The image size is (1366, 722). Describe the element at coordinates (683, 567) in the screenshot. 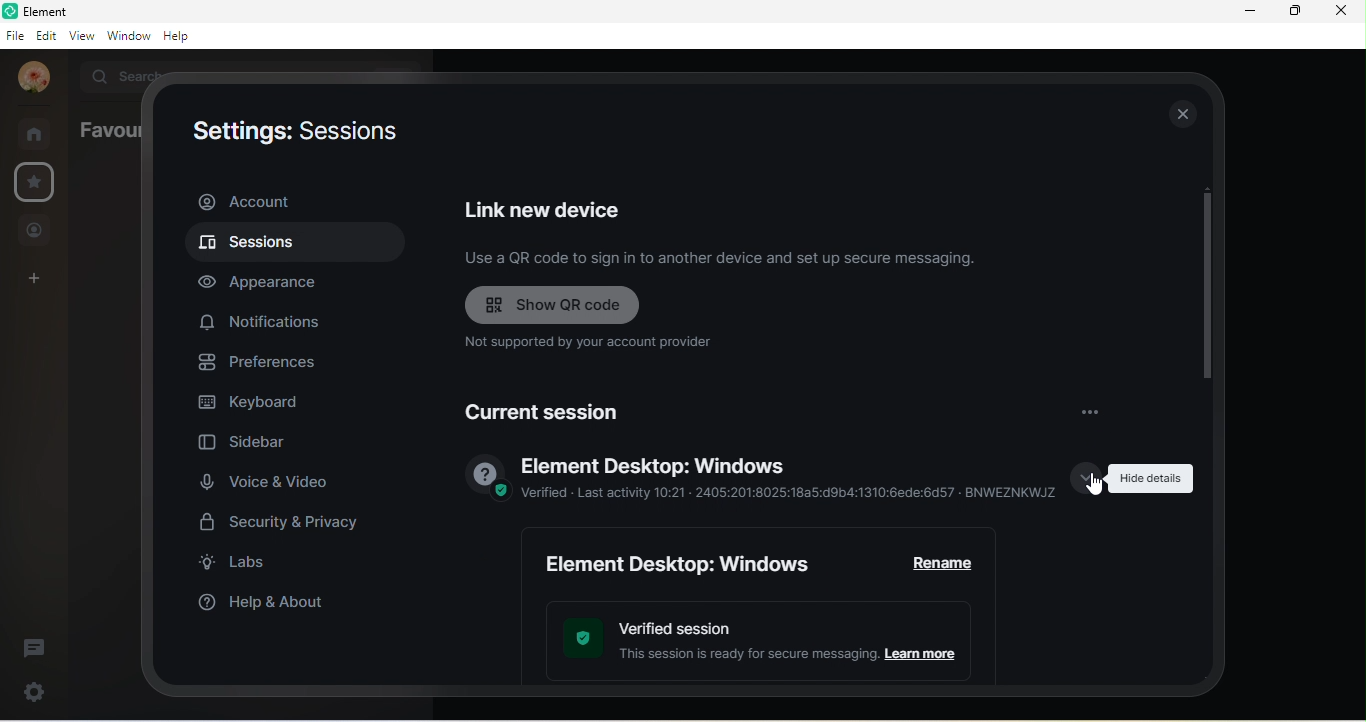

I see `element desktop:windows` at that location.